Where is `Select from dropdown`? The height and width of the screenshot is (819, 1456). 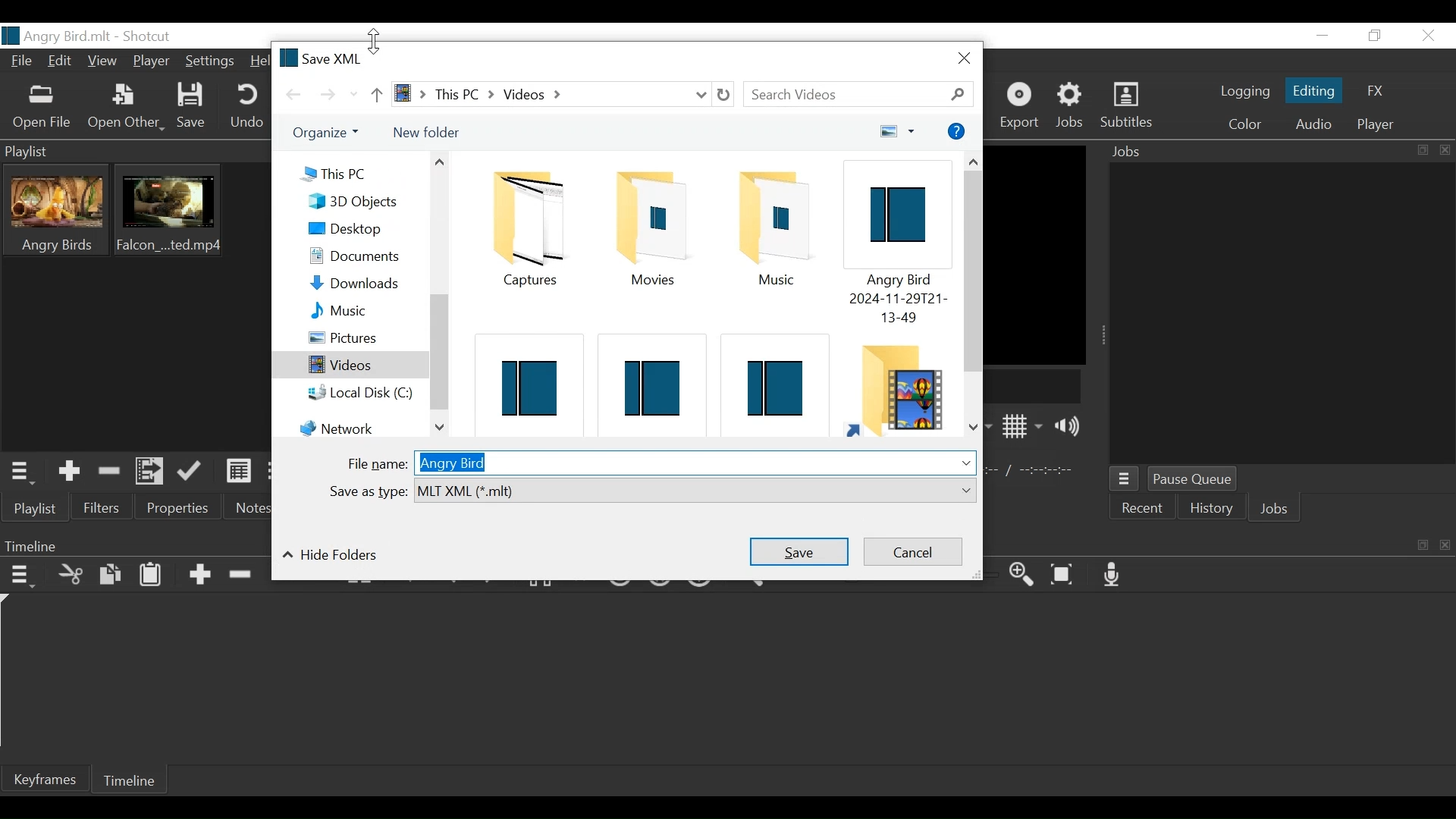
Select from dropdown is located at coordinates (694, 491).